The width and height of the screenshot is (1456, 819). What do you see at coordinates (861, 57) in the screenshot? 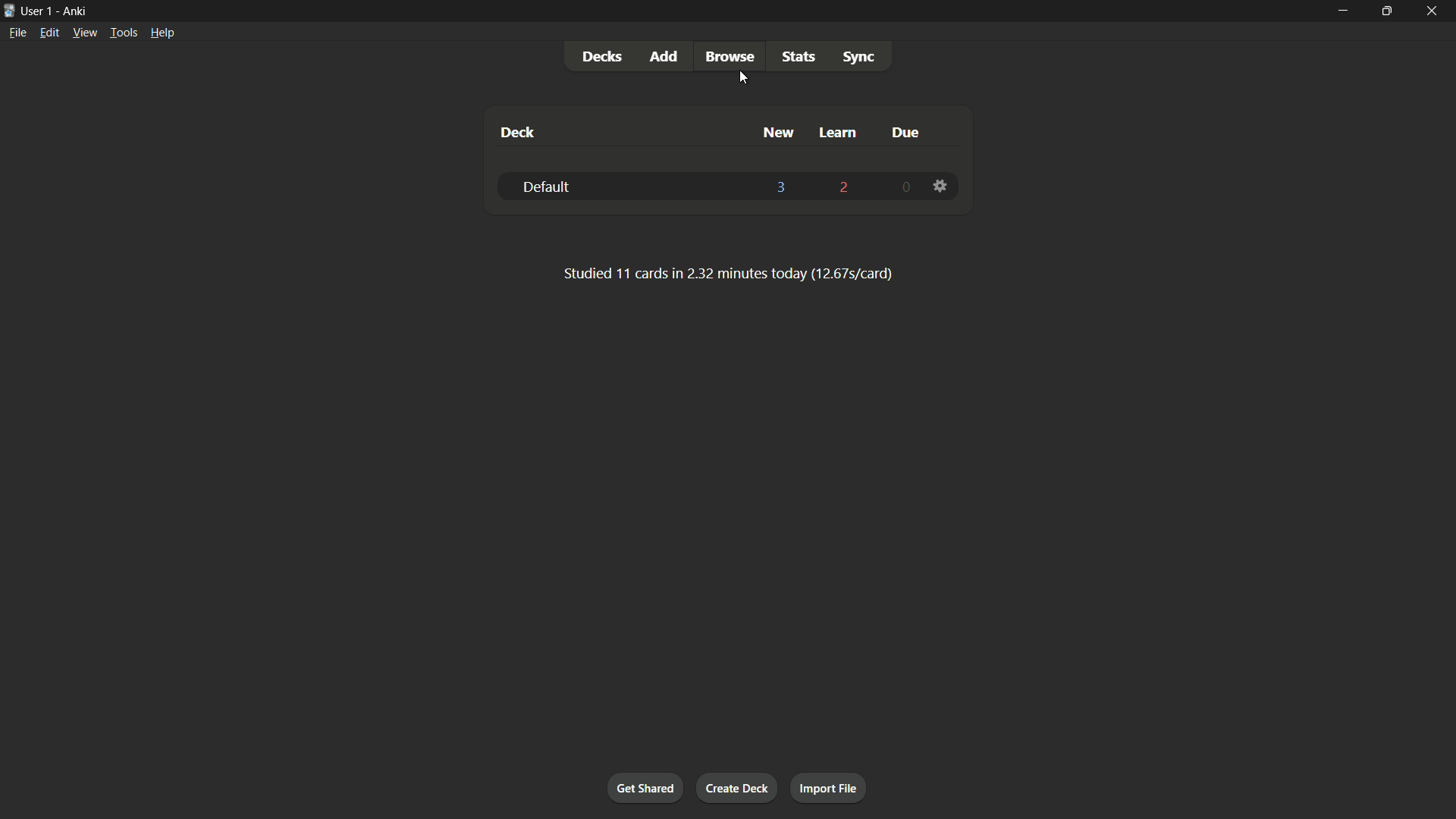
I see `sync` at bounding box center [861, 57].